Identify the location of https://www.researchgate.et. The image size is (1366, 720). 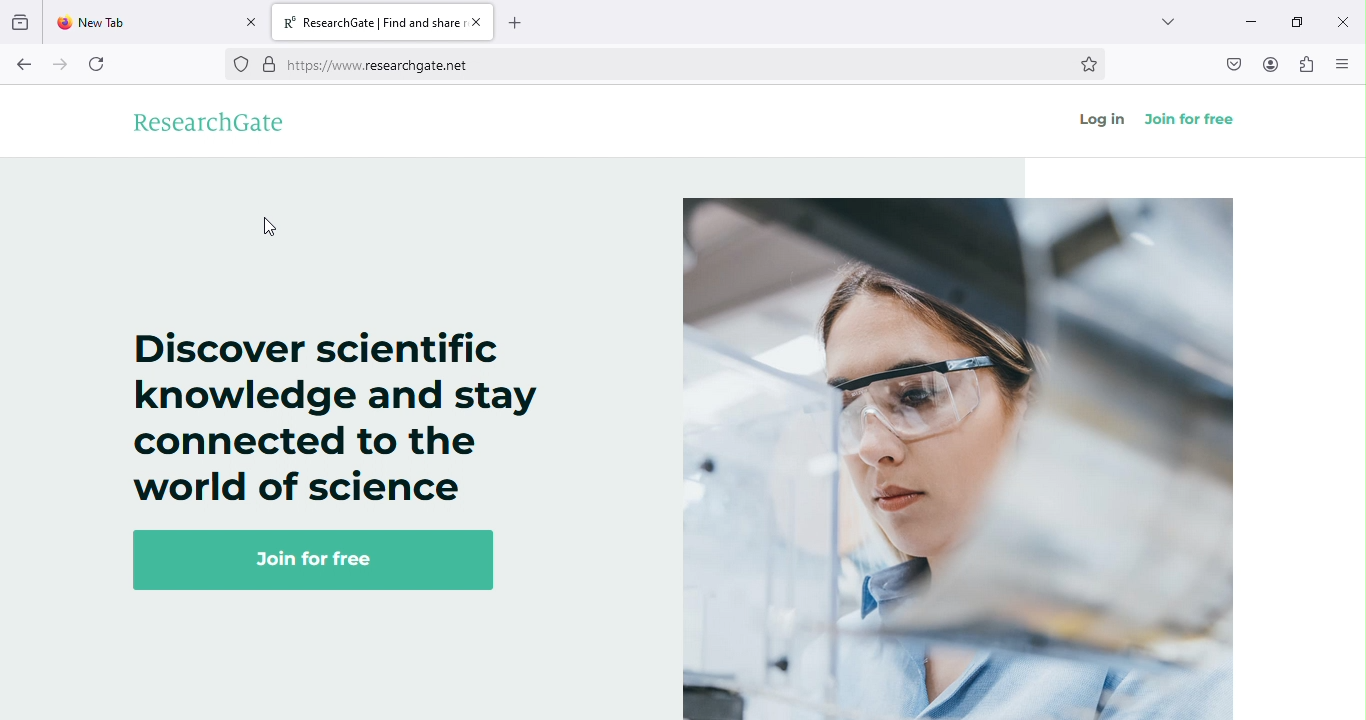
(455, 66).